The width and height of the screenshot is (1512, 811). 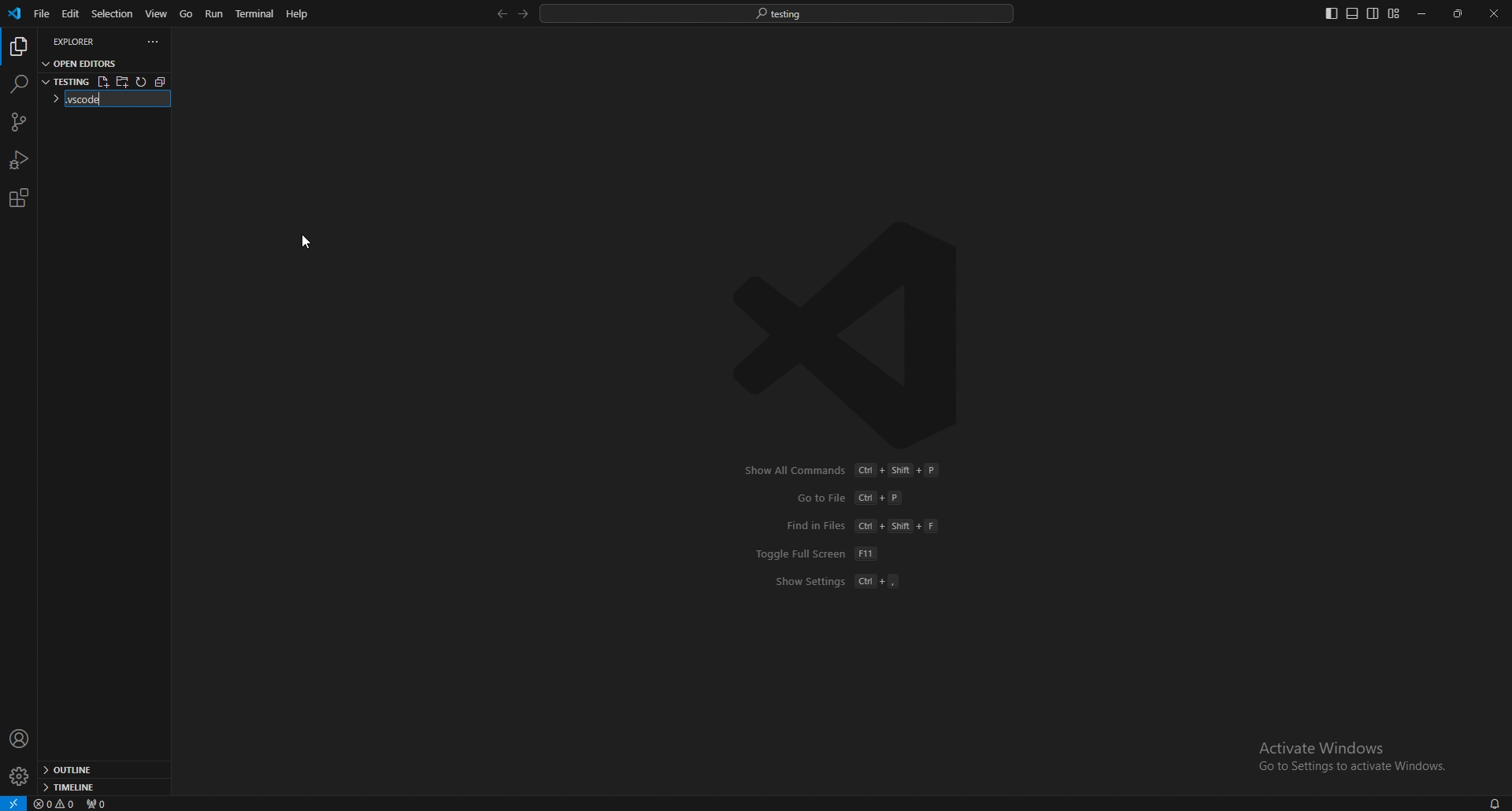 What do you see at coordinates (40, 14) in the screenshot?
I see `file` at bounding box center [40, 14].